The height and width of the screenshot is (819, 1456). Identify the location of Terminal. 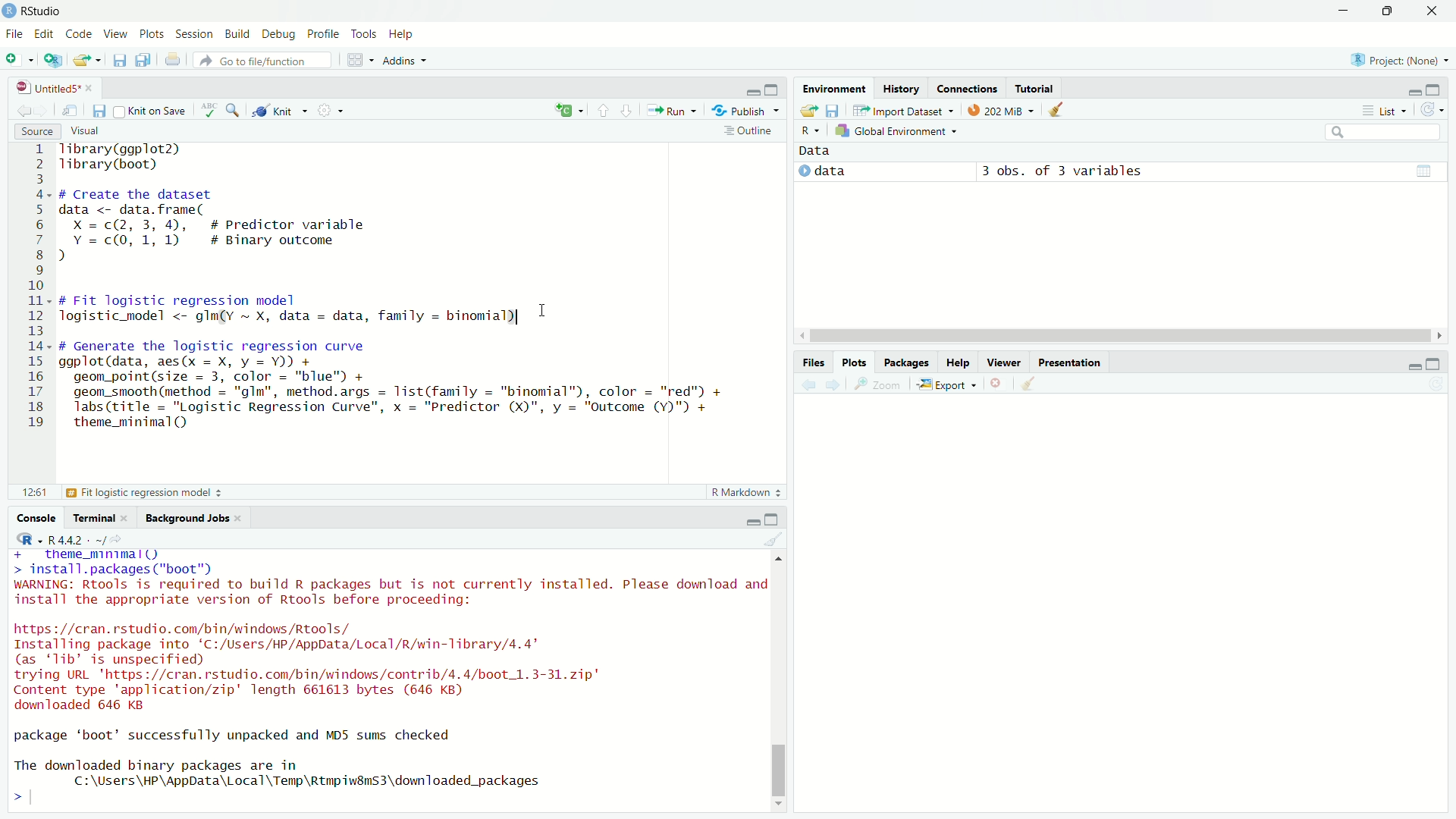
(91, 517).